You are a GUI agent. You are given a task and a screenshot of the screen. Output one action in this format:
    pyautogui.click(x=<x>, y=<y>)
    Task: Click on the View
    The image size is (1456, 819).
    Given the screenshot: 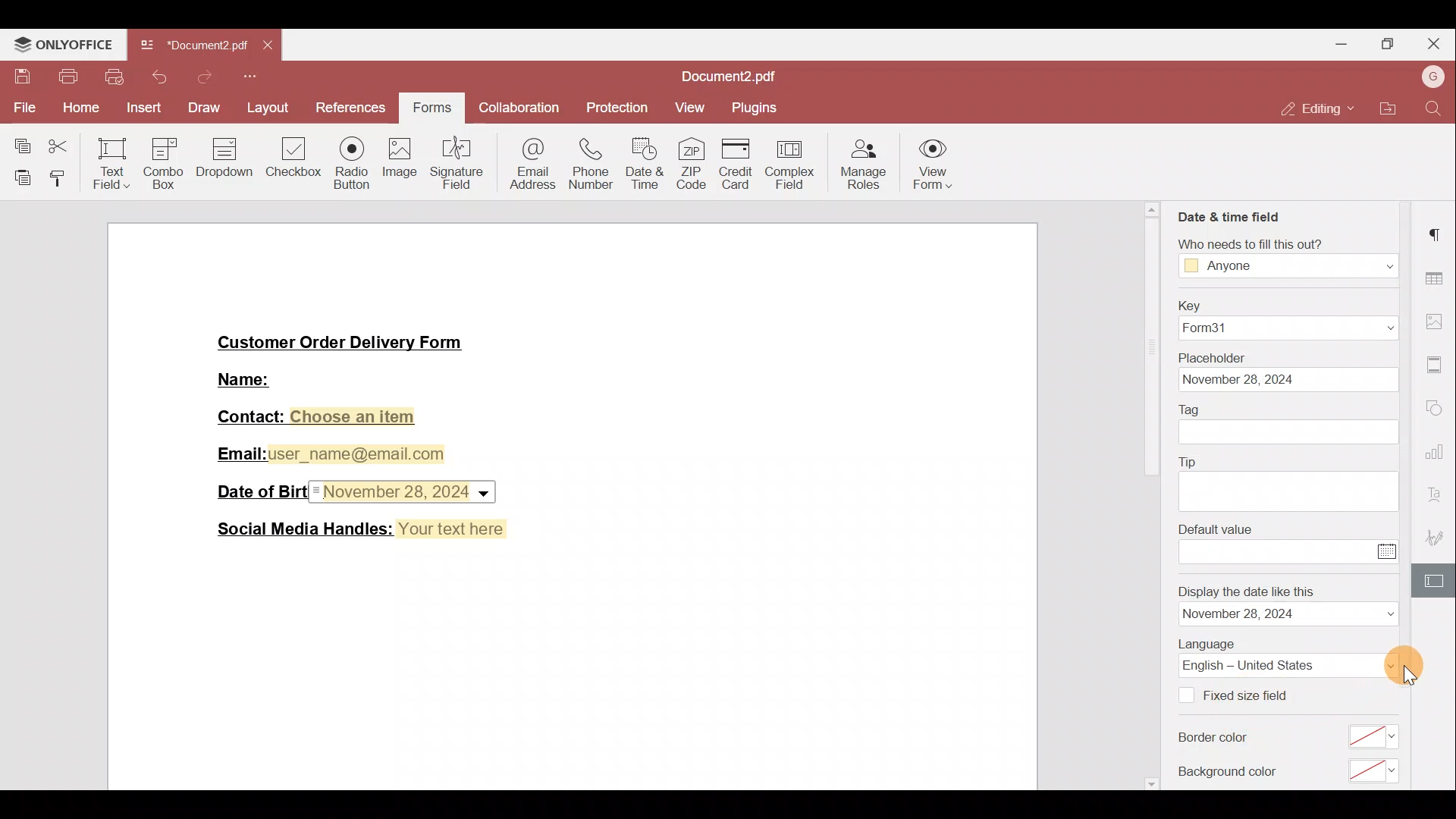 What is the action you would take?
    pyautogui.click(x=695, y=105)
    